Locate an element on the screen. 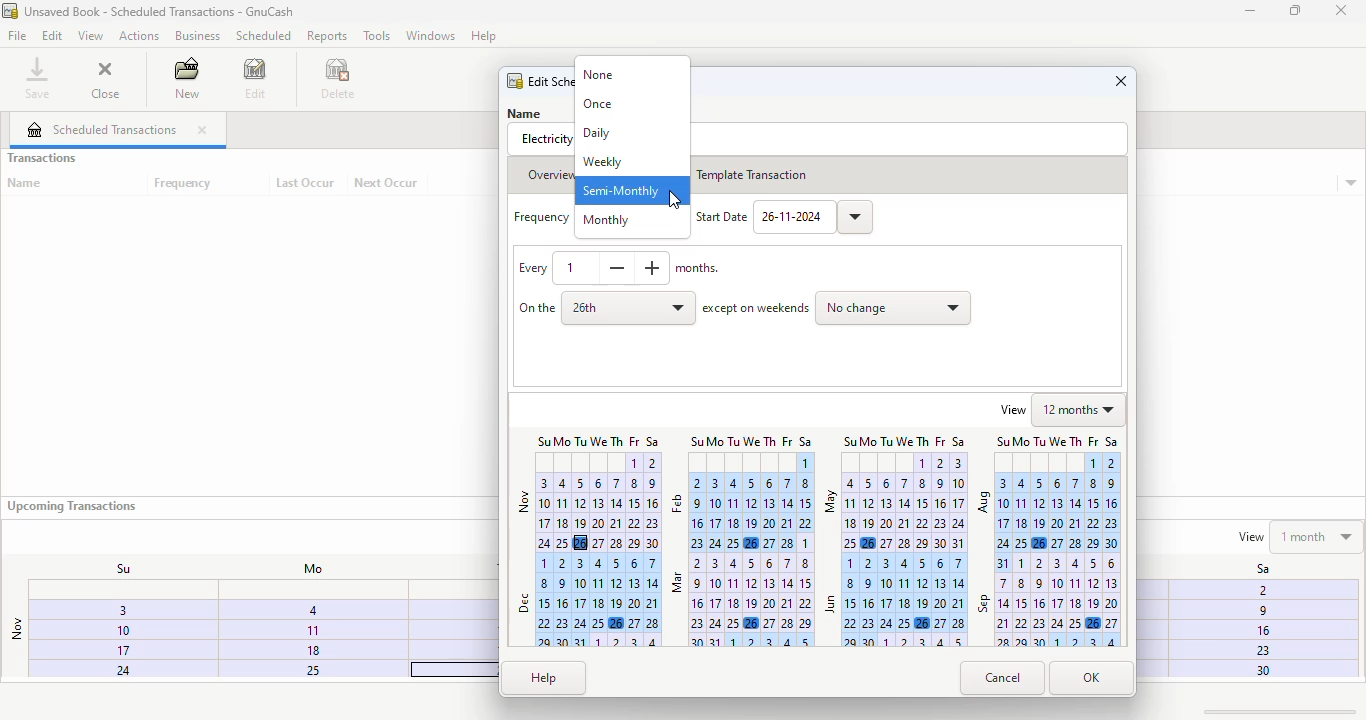 This screenshot has height=720, width=1366. title is located at coordinates (160, 11).